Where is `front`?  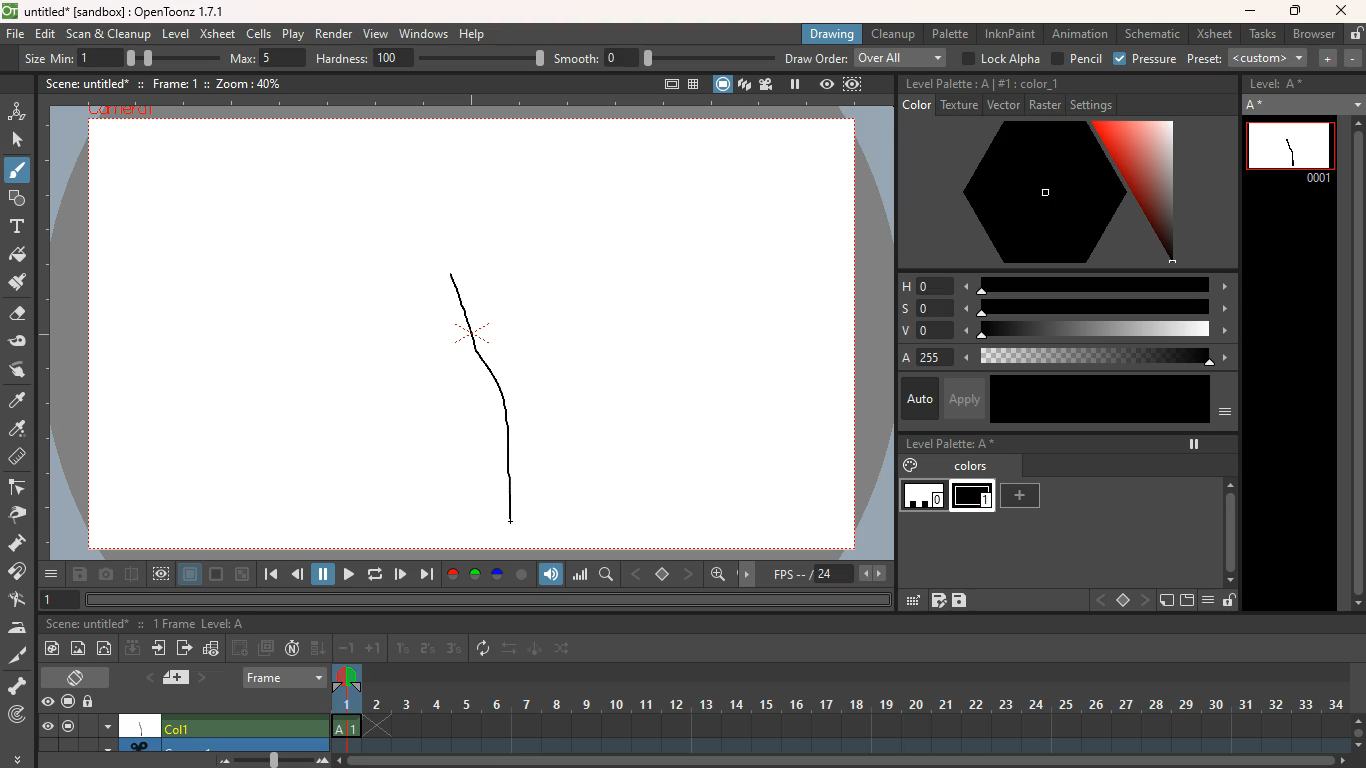
front is located at coordinates (690, 573).